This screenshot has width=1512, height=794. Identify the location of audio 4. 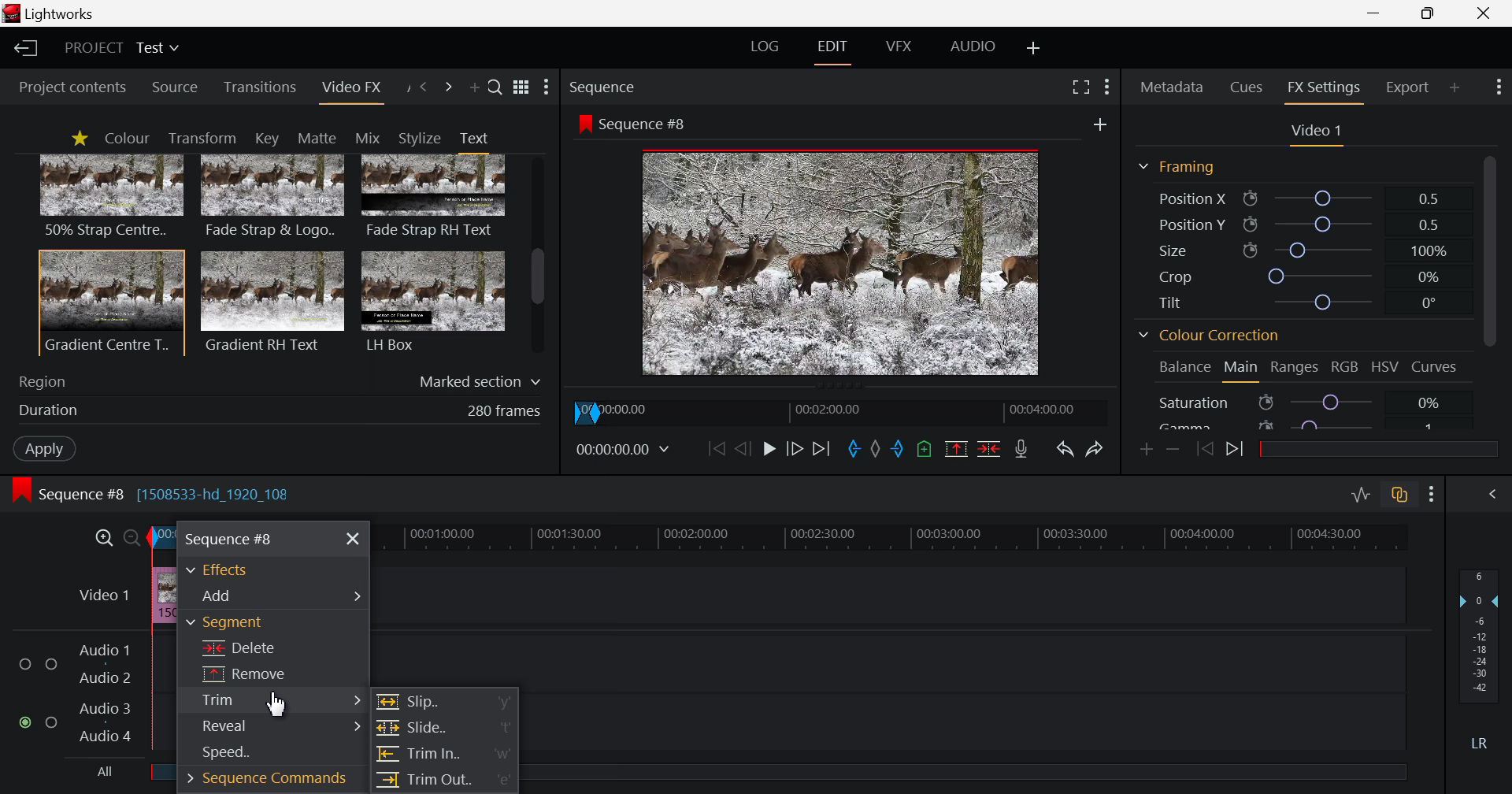
(102, 739).